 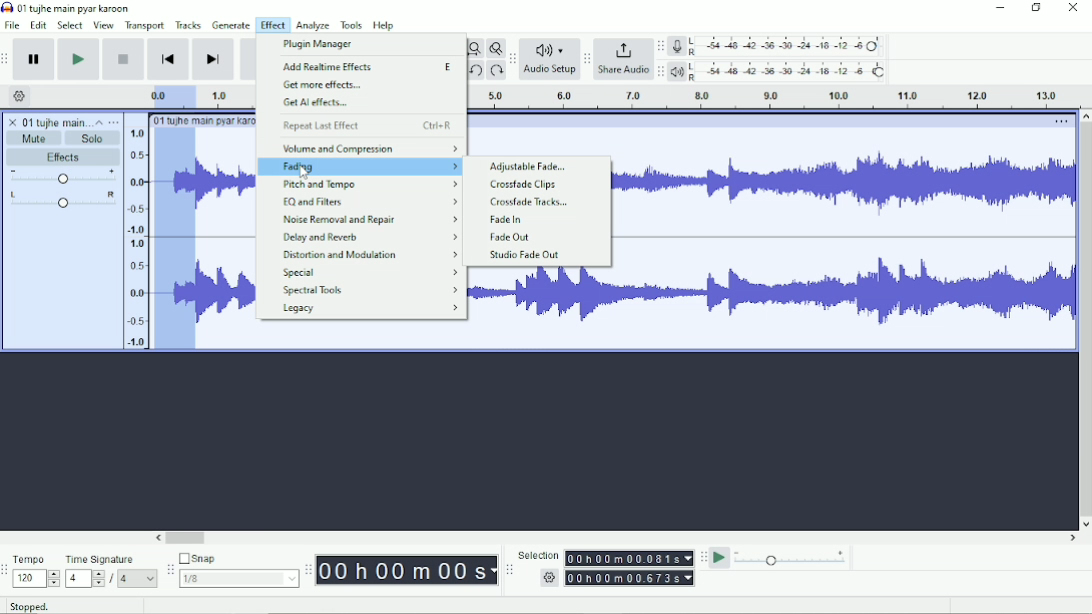 I want to click on Close, so click(x=1072, y=9).